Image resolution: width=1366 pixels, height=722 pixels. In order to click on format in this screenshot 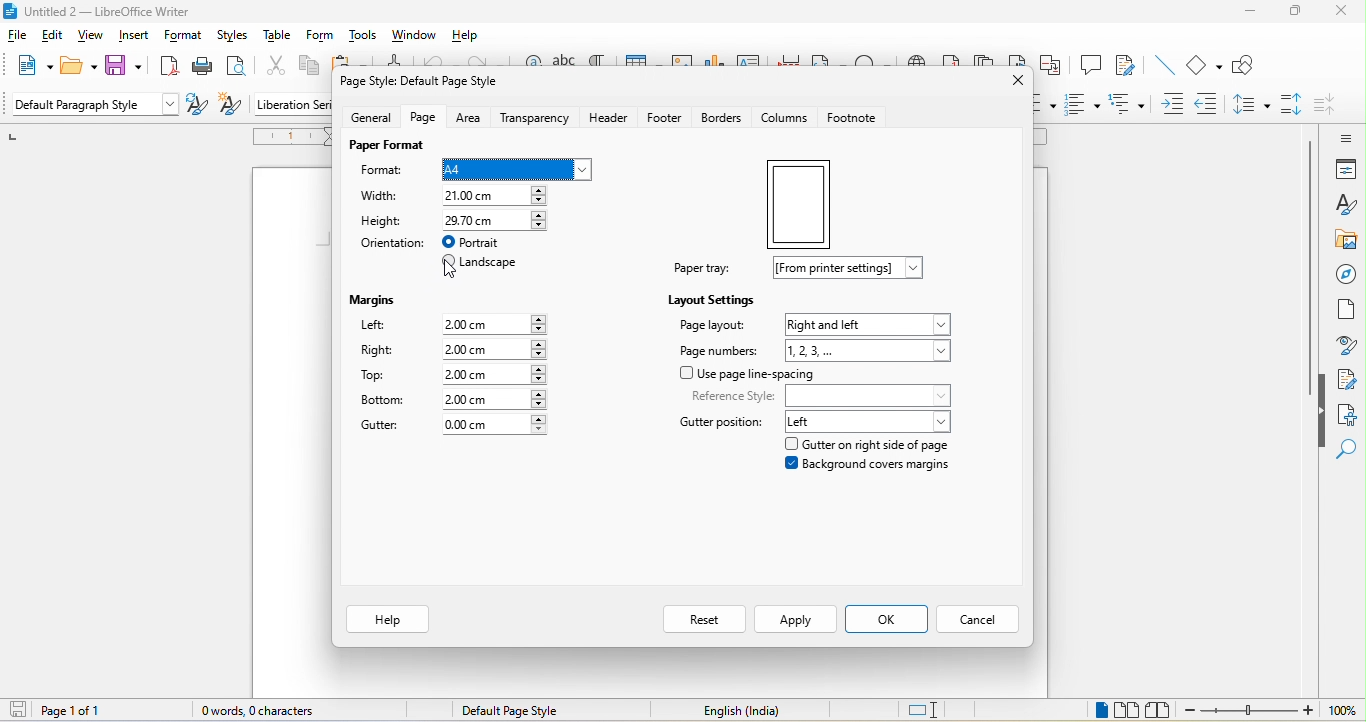, I will do `click(383, 171)`.